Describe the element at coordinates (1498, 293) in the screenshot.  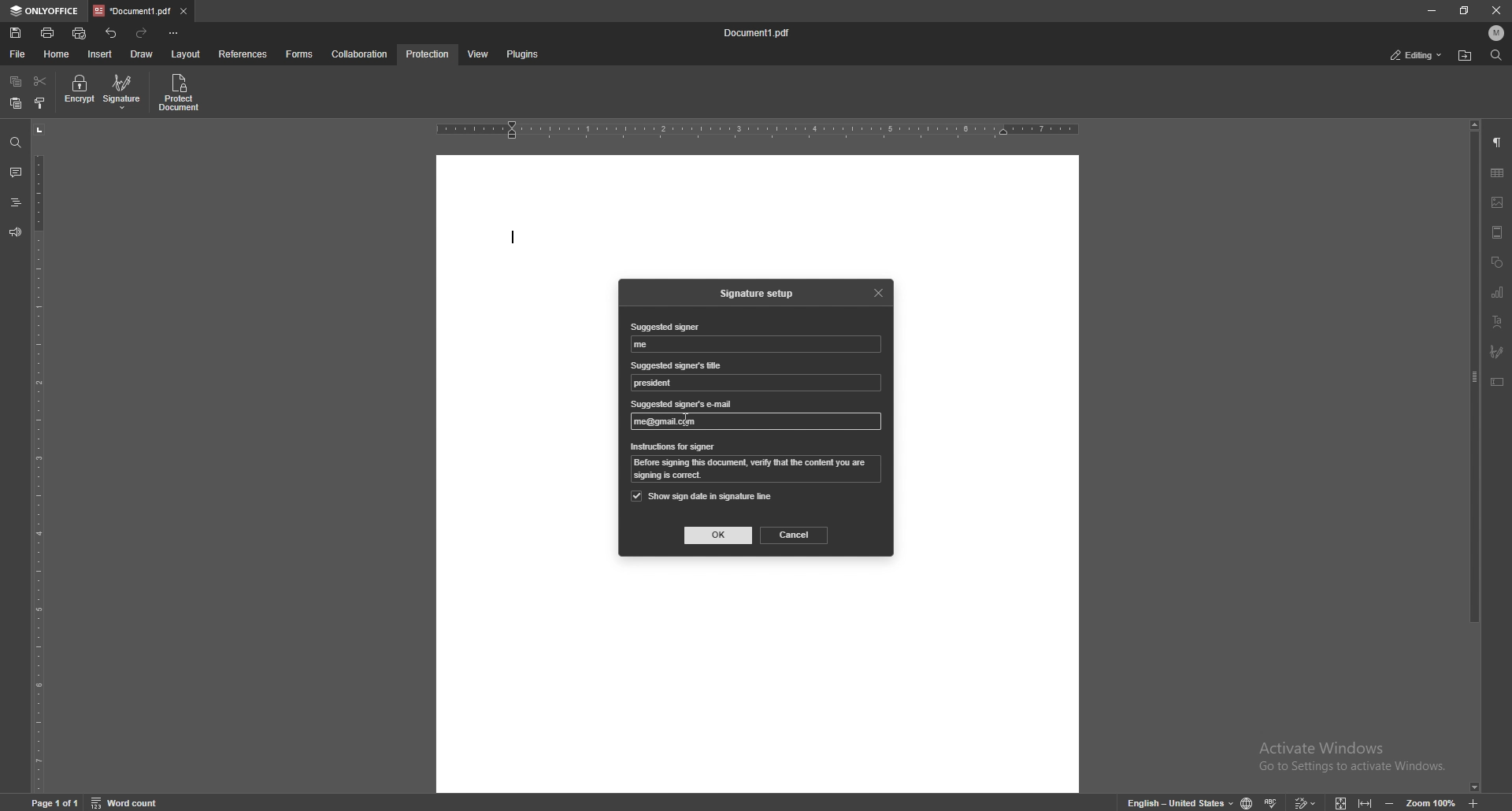
I see `chart` at that location.